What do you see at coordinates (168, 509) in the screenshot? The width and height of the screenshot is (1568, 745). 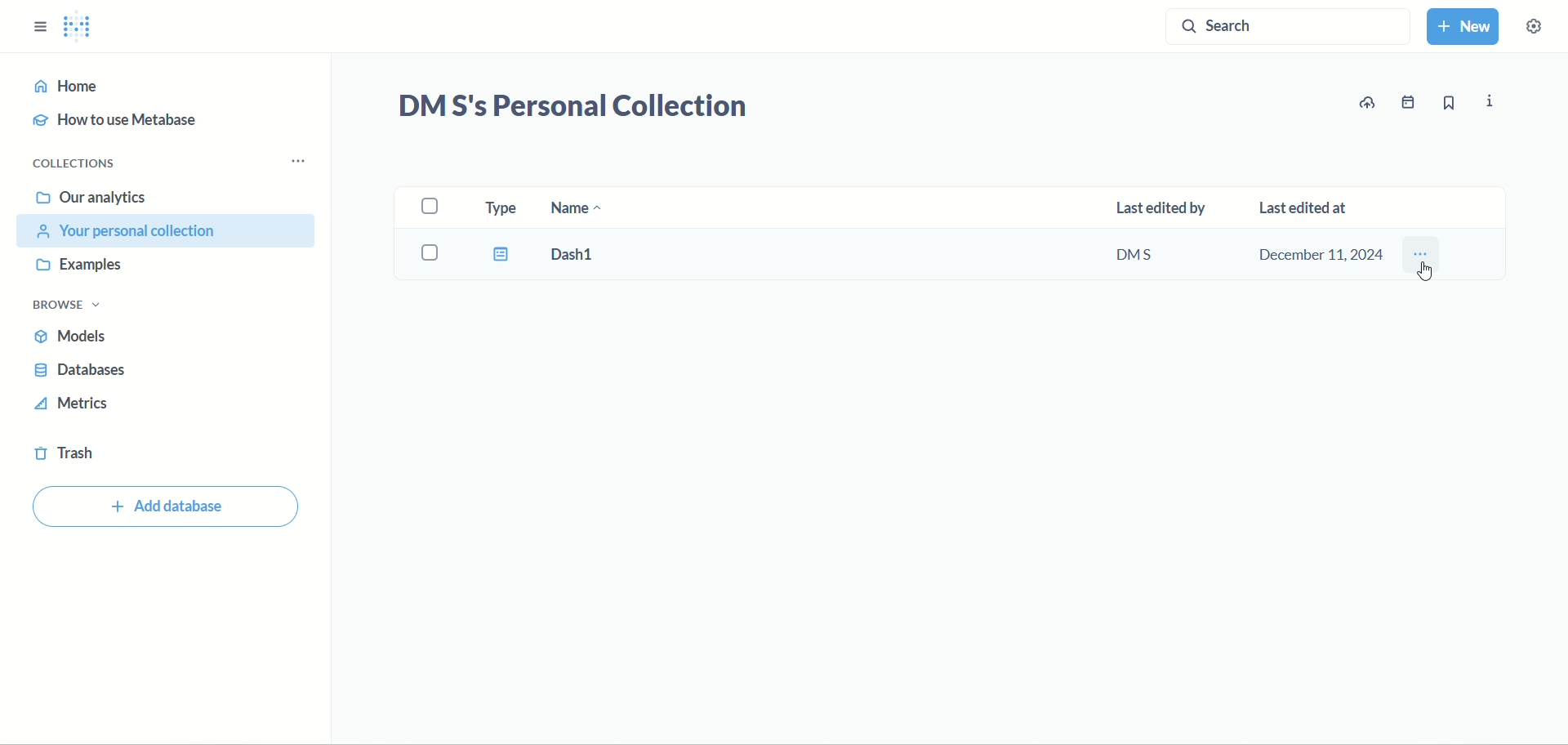 I see `add database` at bounding box center [168, 509].